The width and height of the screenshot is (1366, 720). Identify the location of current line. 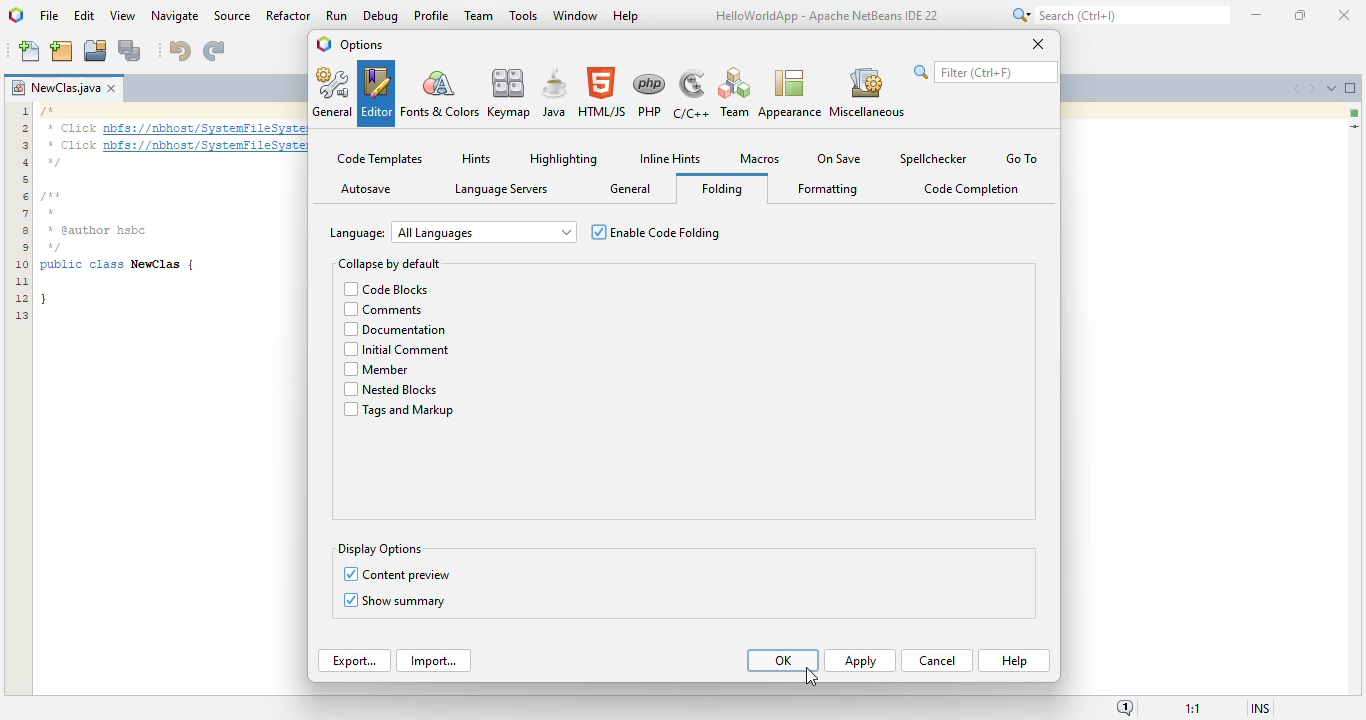
(1354, 126).